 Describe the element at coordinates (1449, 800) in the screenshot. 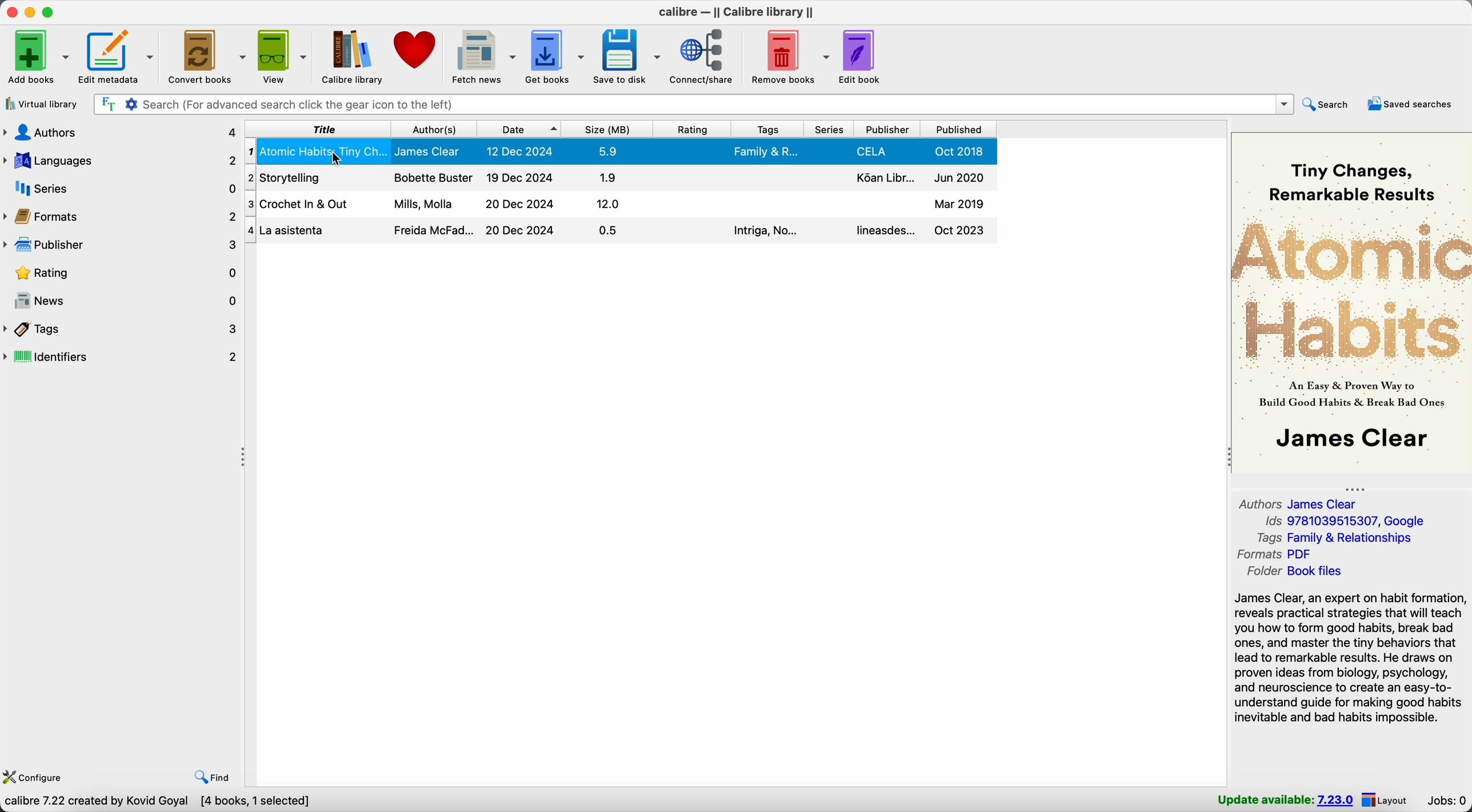

I see `Jobs: 0` at that location.